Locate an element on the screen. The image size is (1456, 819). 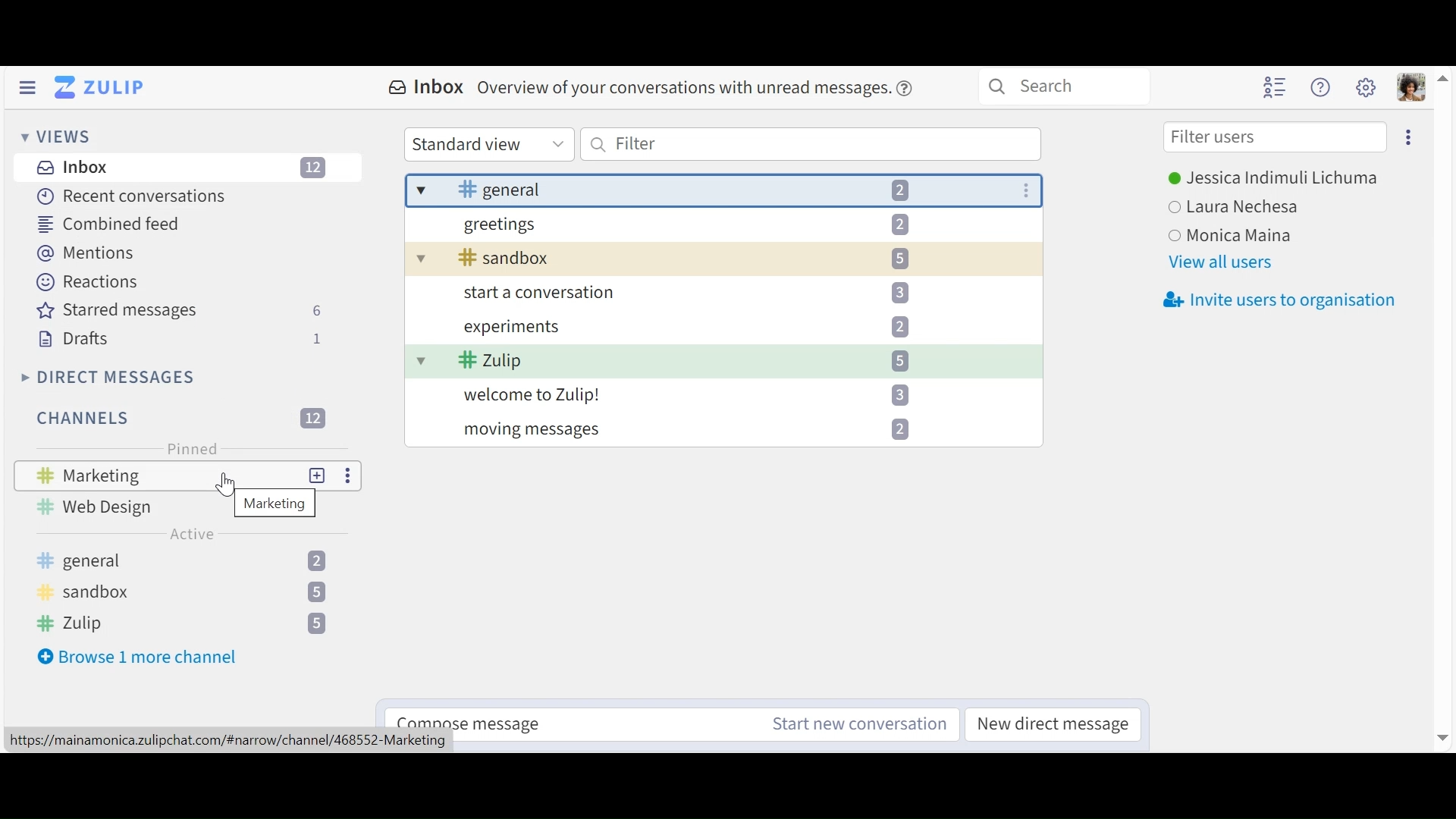
user2 is located at coordinates (1241, 207).